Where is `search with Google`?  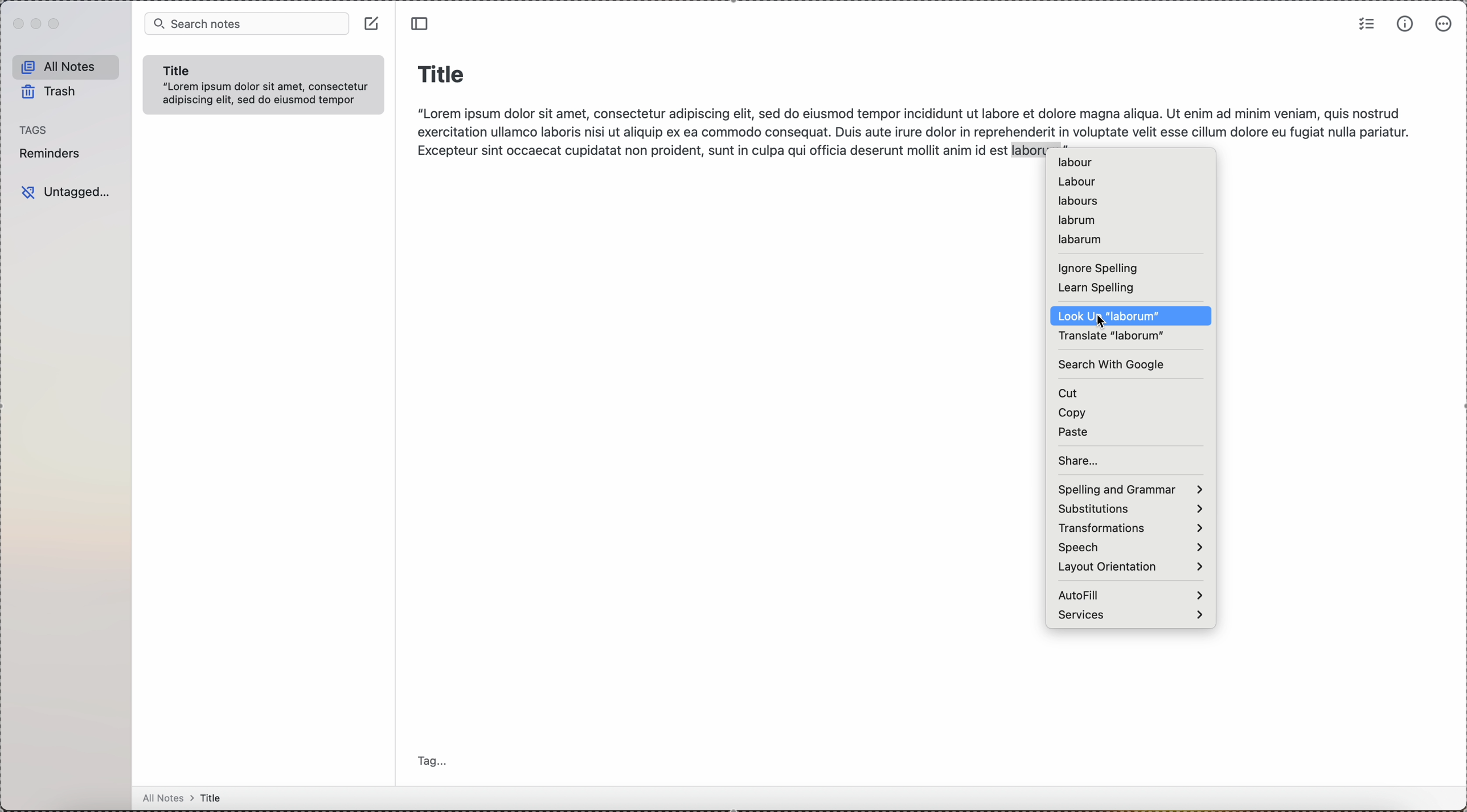 search with Google is located at coordinates (1112, 365).